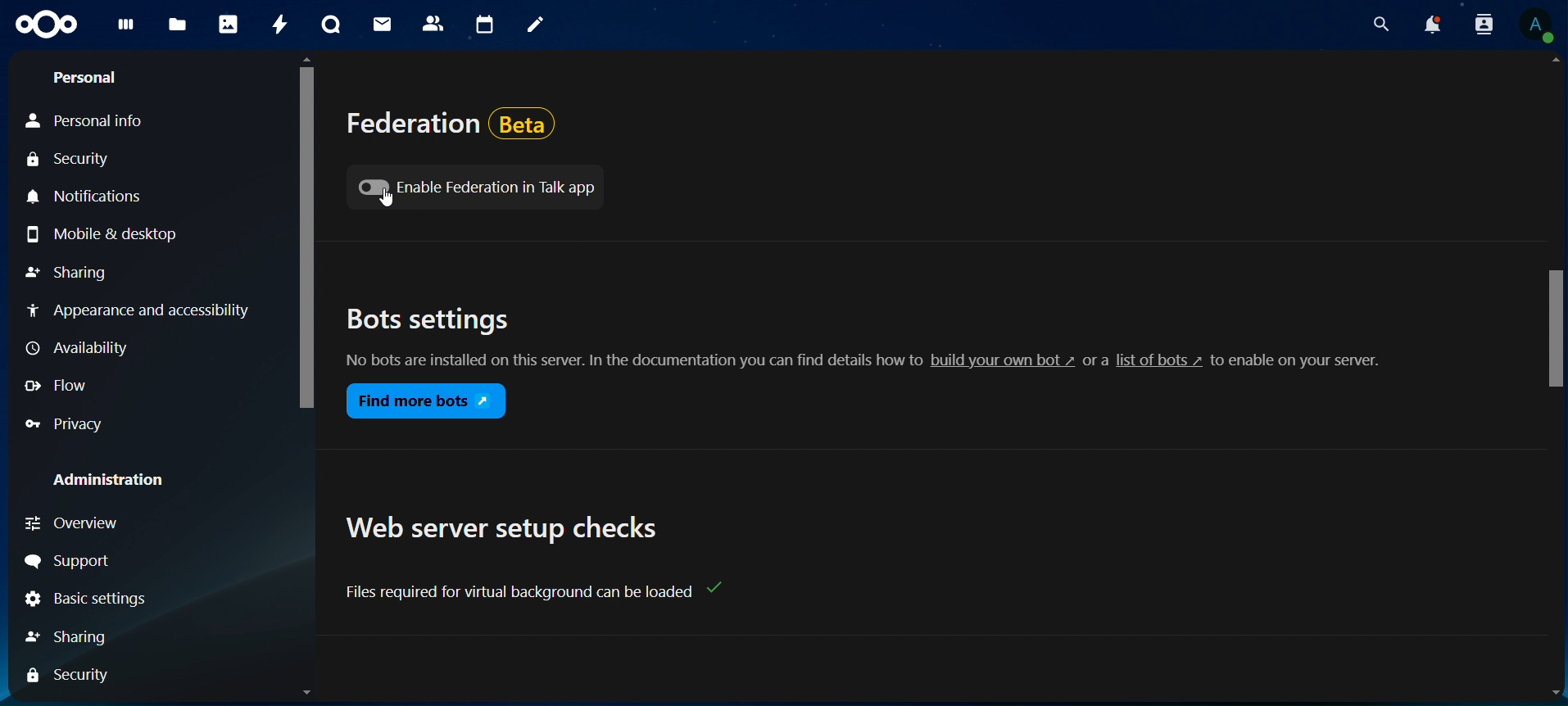  Describe the element at coordinates (383, 25) in the screenshot. I see `mail` at that location.